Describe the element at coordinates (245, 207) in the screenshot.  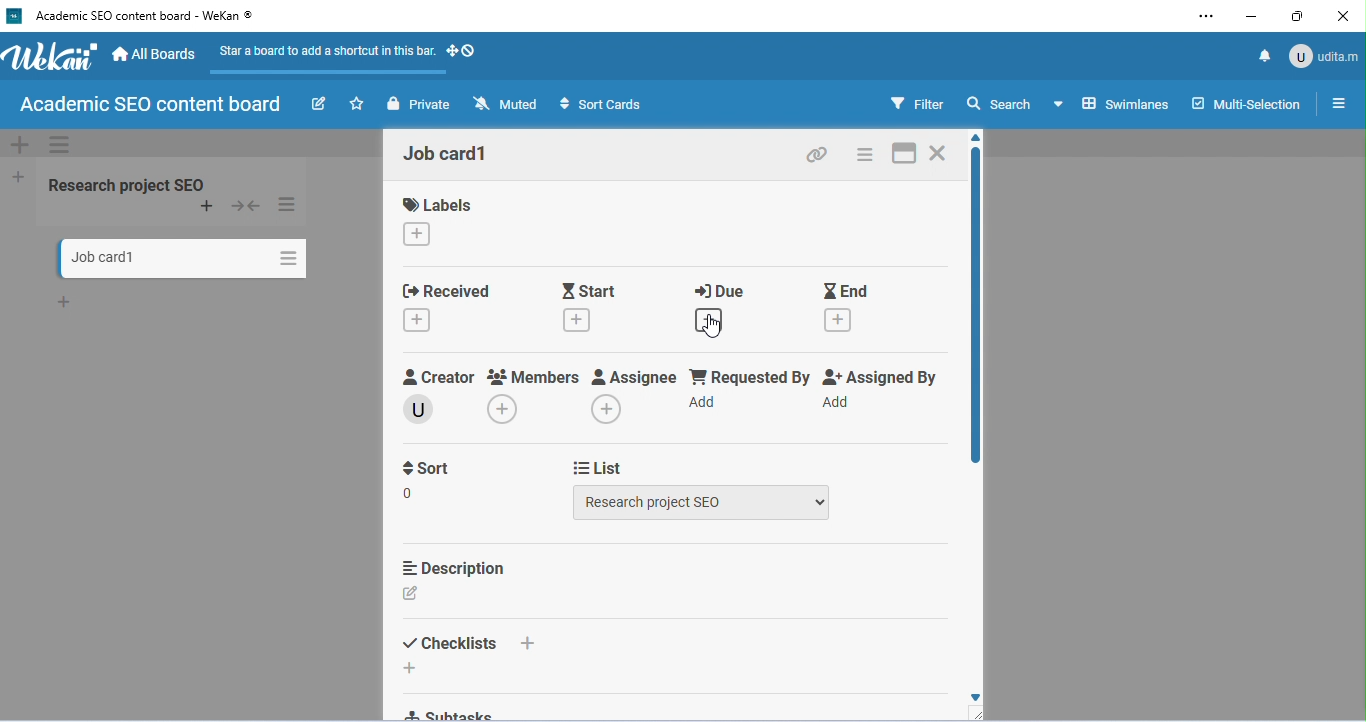
I see `collapse` at that location.